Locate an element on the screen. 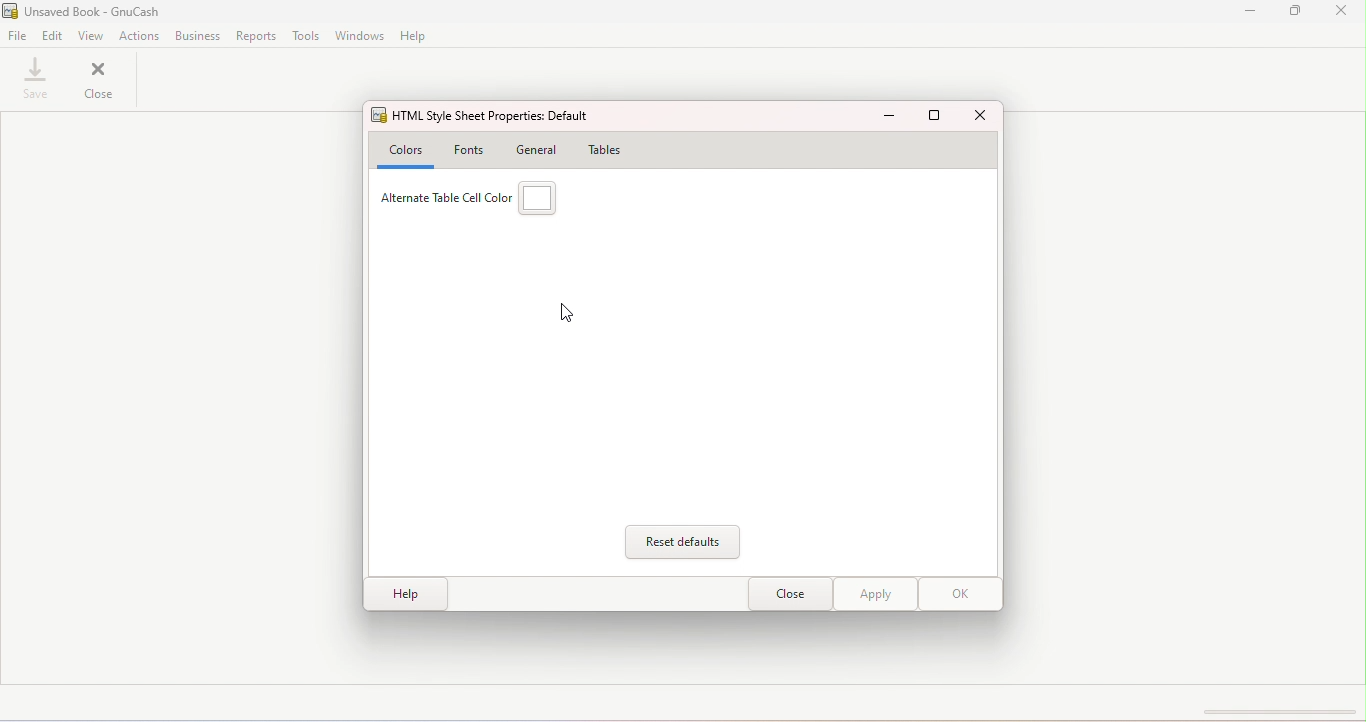  Alternate table cell color is located at coordinates (540, 199).